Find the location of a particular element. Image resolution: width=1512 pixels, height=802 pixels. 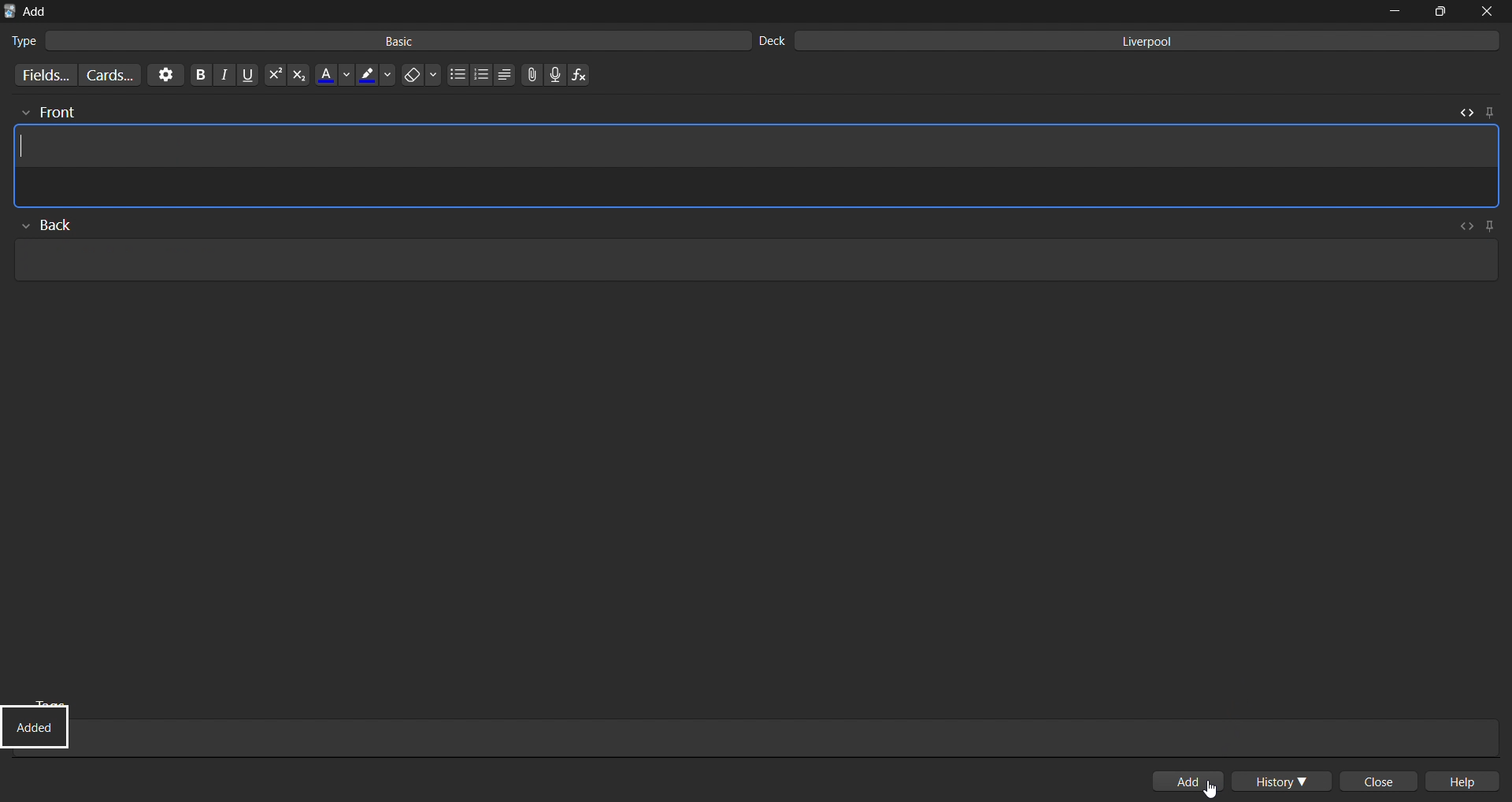

insert function is located at coordinates (583, 75).